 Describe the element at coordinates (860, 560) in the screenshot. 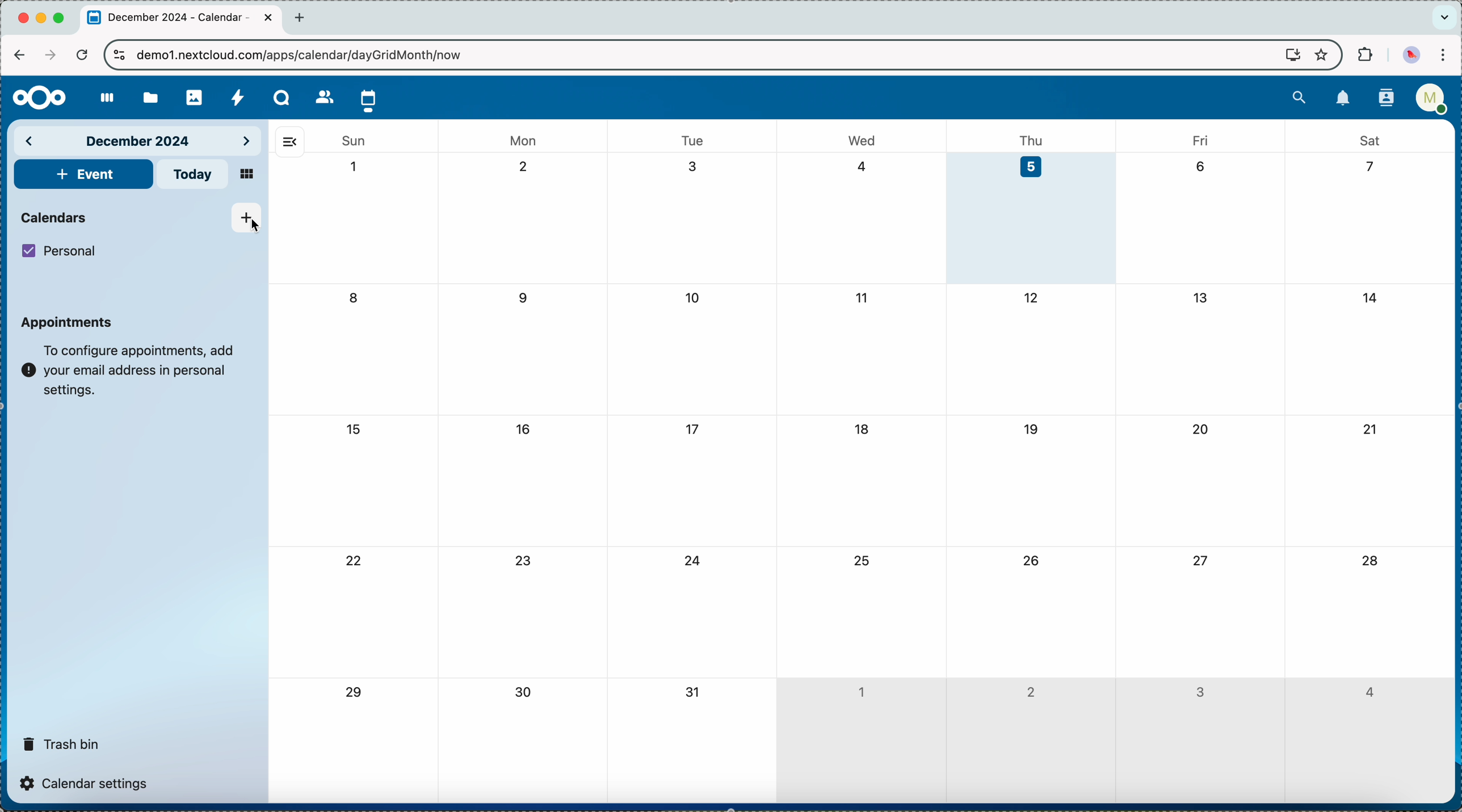

I see `25` at that location.